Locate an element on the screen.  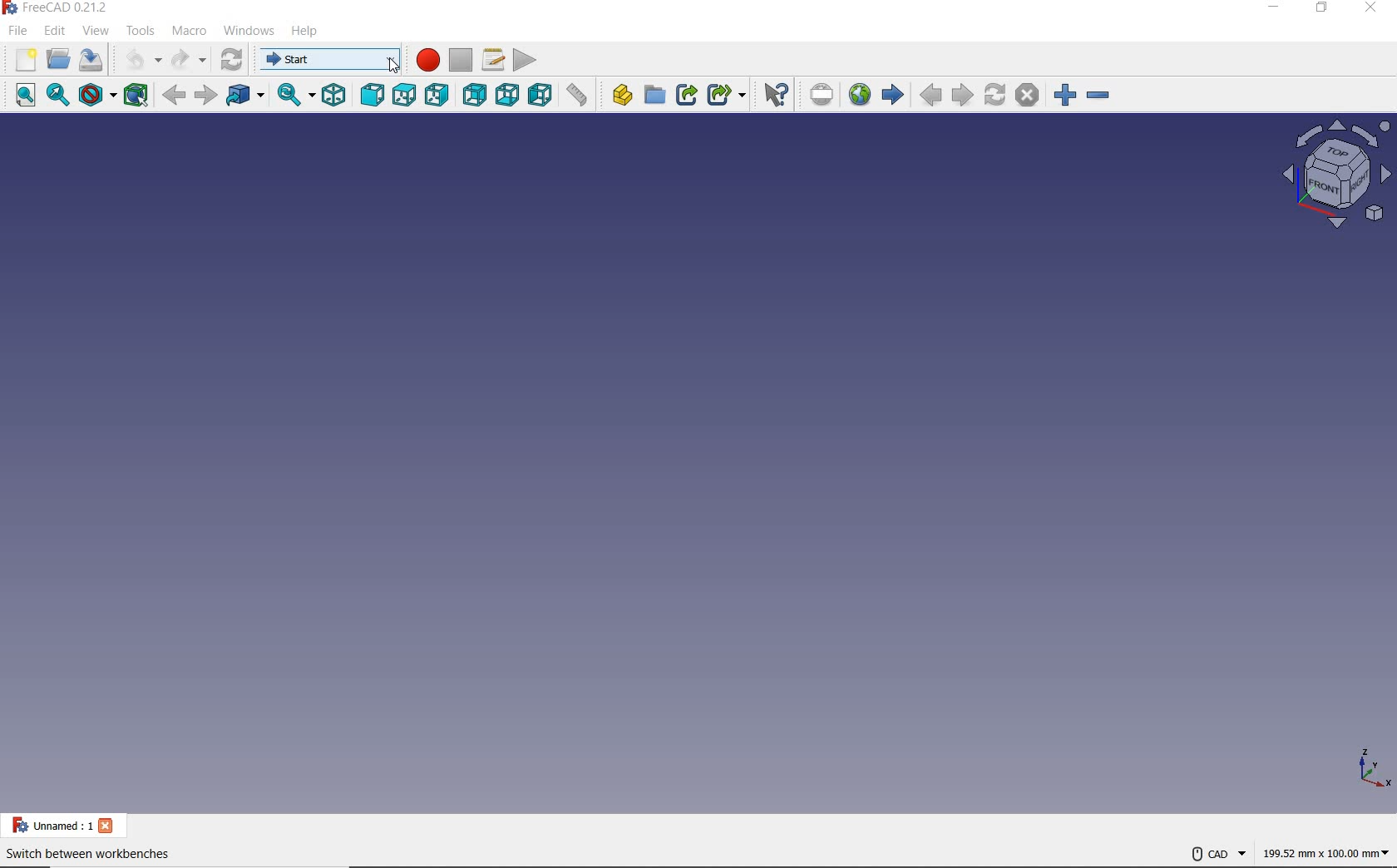
FORWARD is located at coordinates (206, 96).